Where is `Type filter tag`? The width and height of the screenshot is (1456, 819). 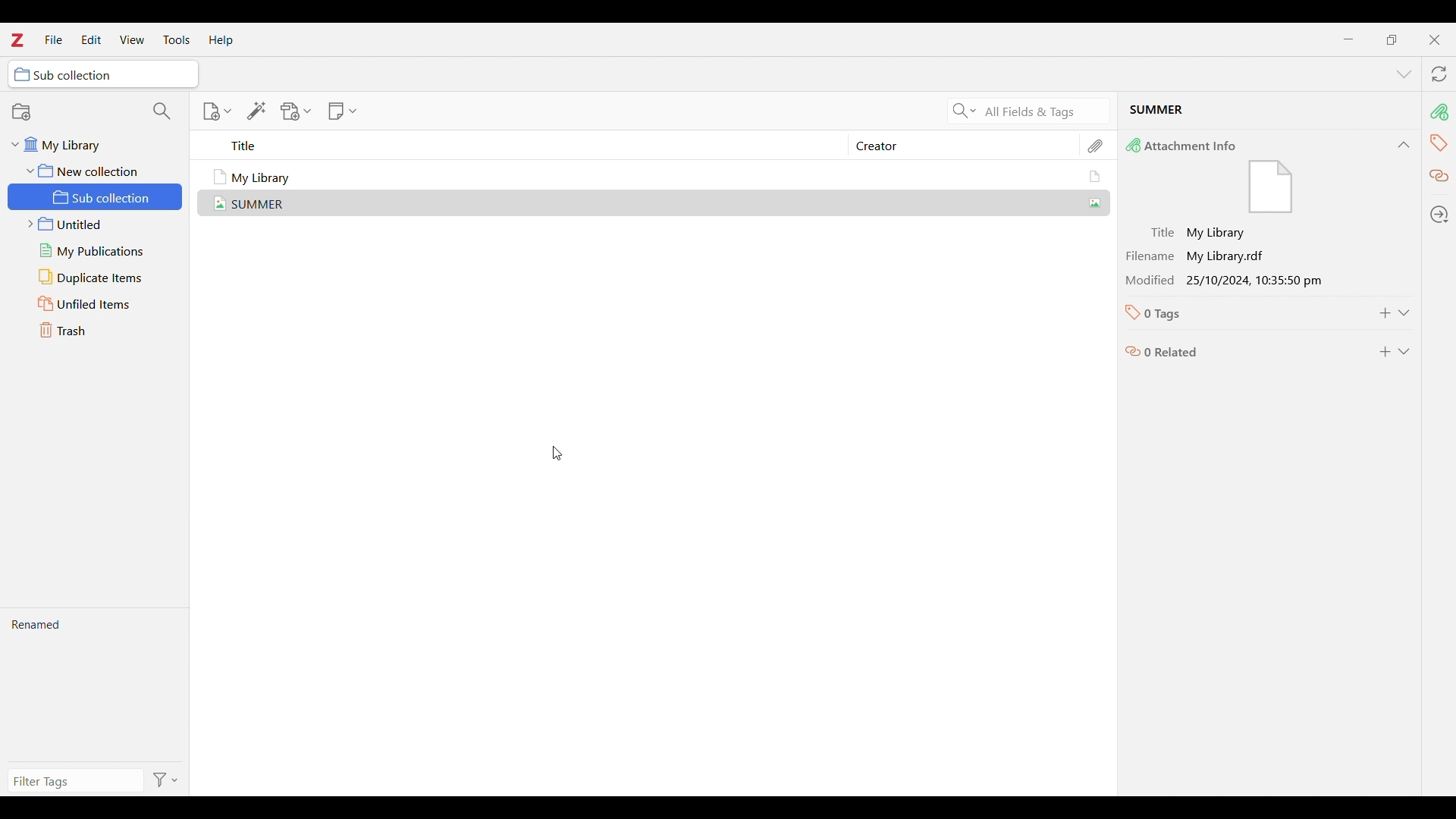 Type filter tag is located at coordinates (73, 781).